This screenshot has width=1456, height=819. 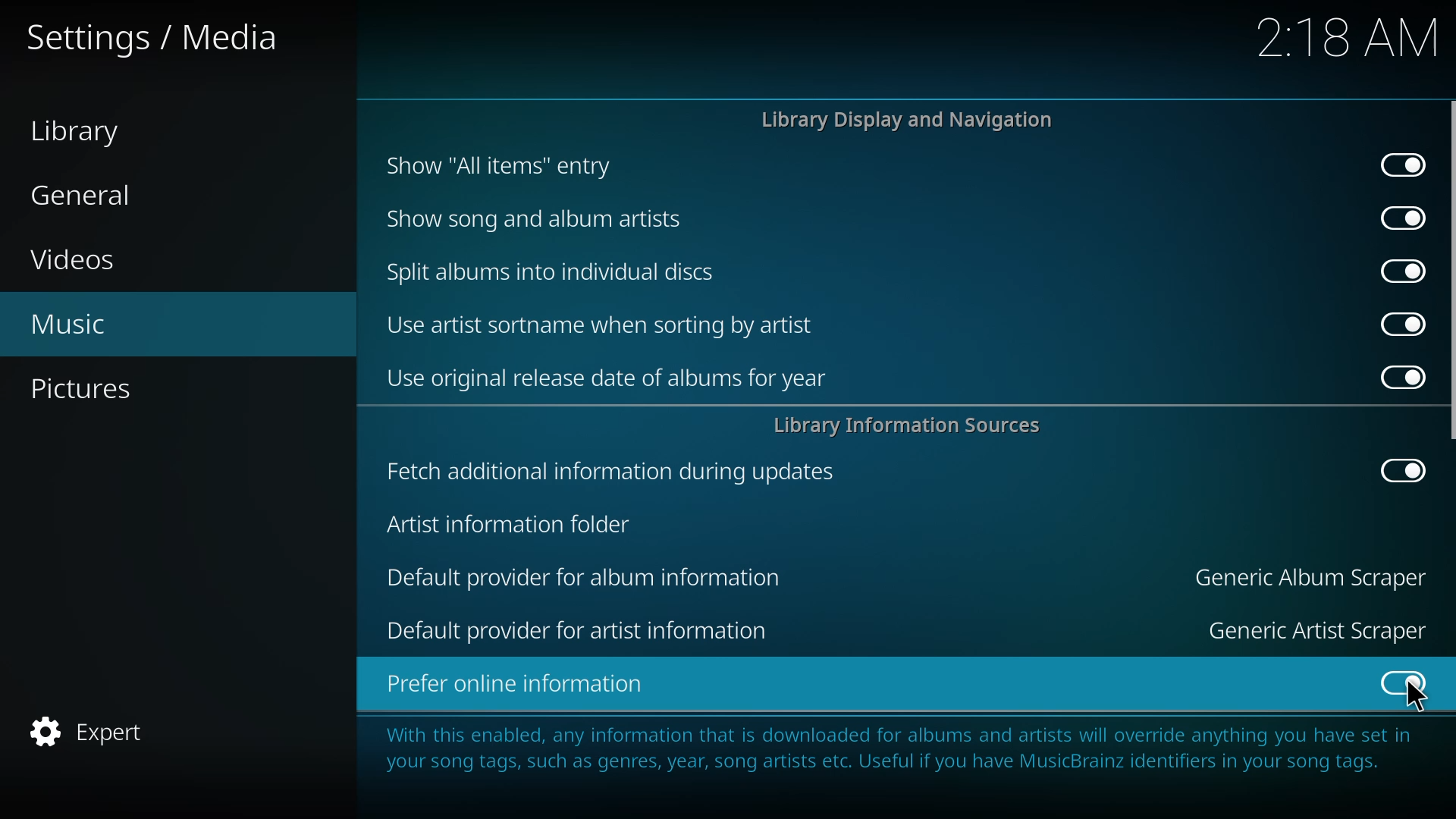 What do you see at coordinates (158, 39) in the screenshot?
I see `settings media` at bounding box center [158, 39].